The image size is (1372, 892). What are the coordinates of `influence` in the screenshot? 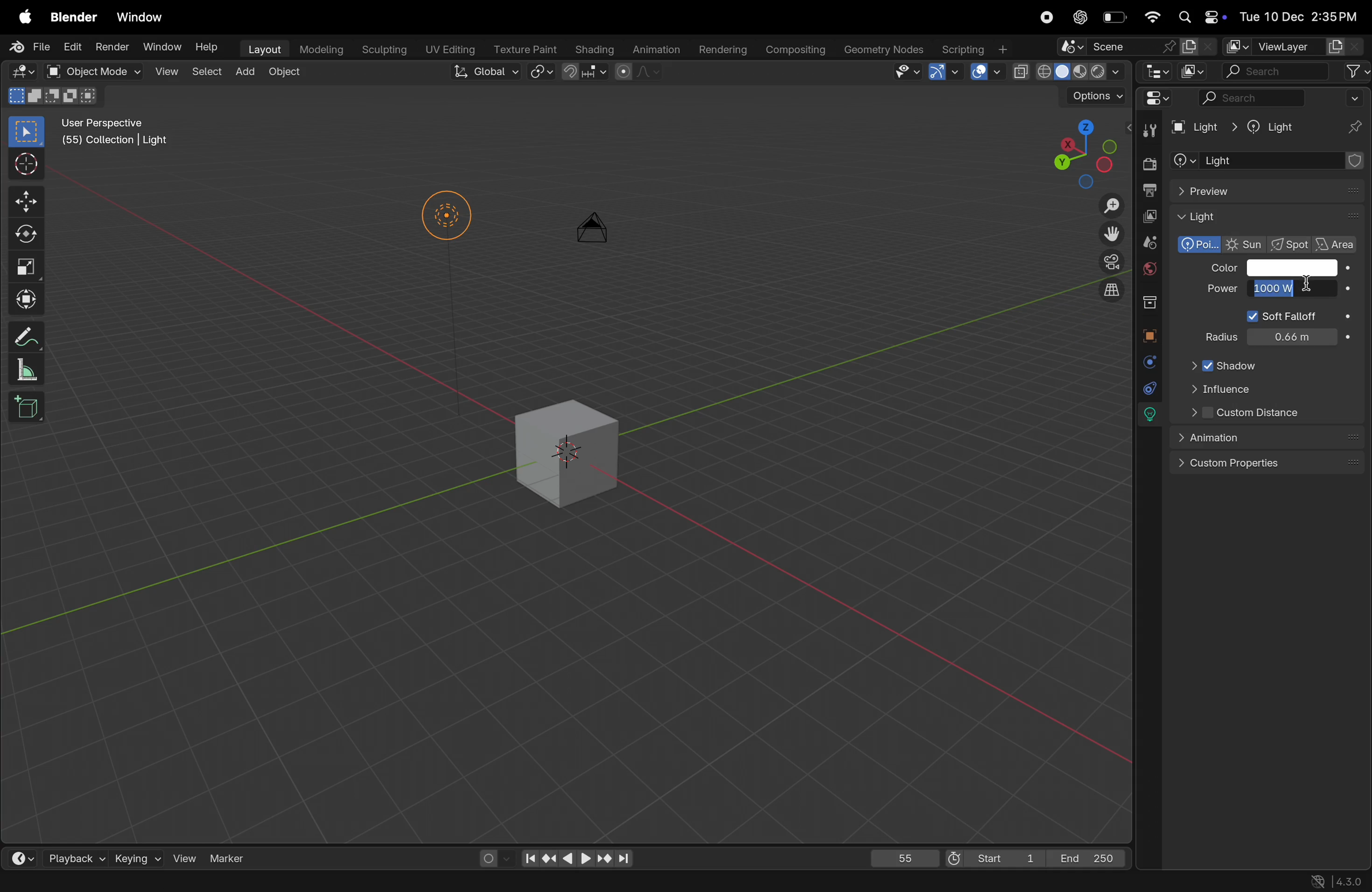 It's located at (1253, 388).